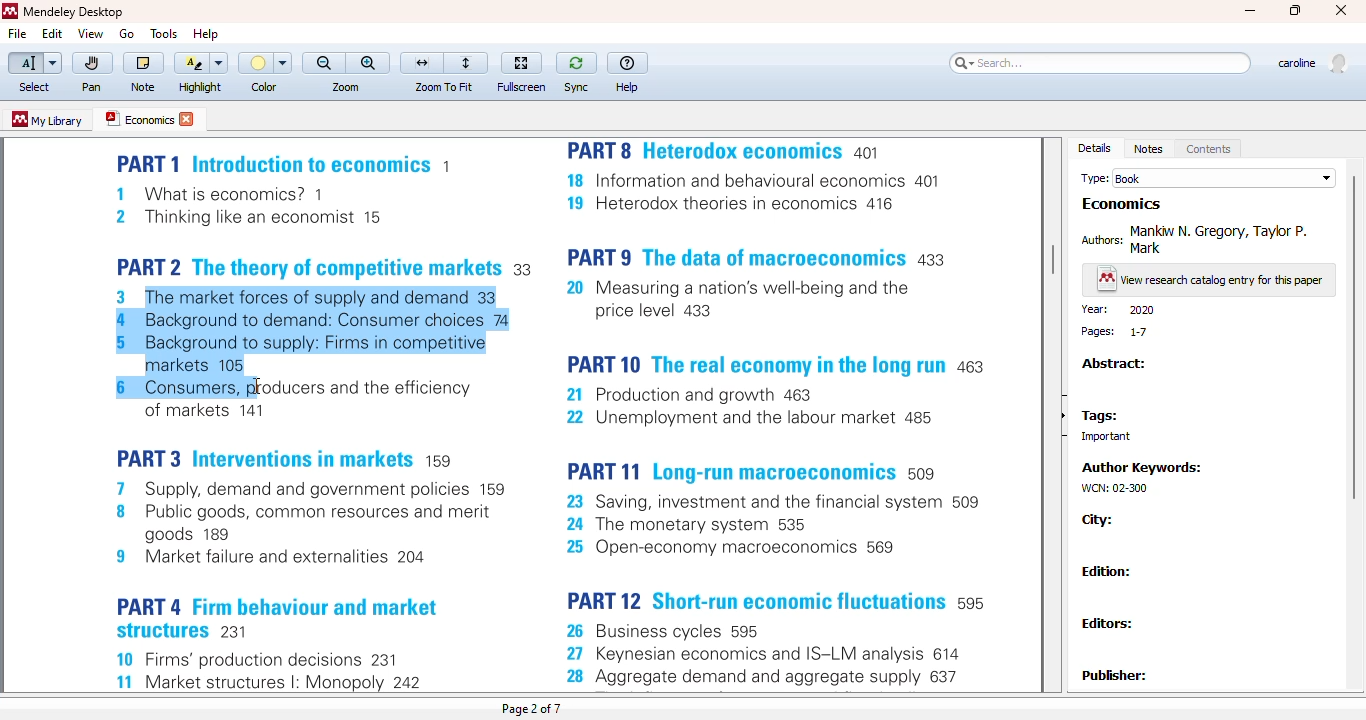 This screenshot has width=1366, height=720. Describe the element at coordinates (1107, 571) in the screenshot. I see `edition` at that location.